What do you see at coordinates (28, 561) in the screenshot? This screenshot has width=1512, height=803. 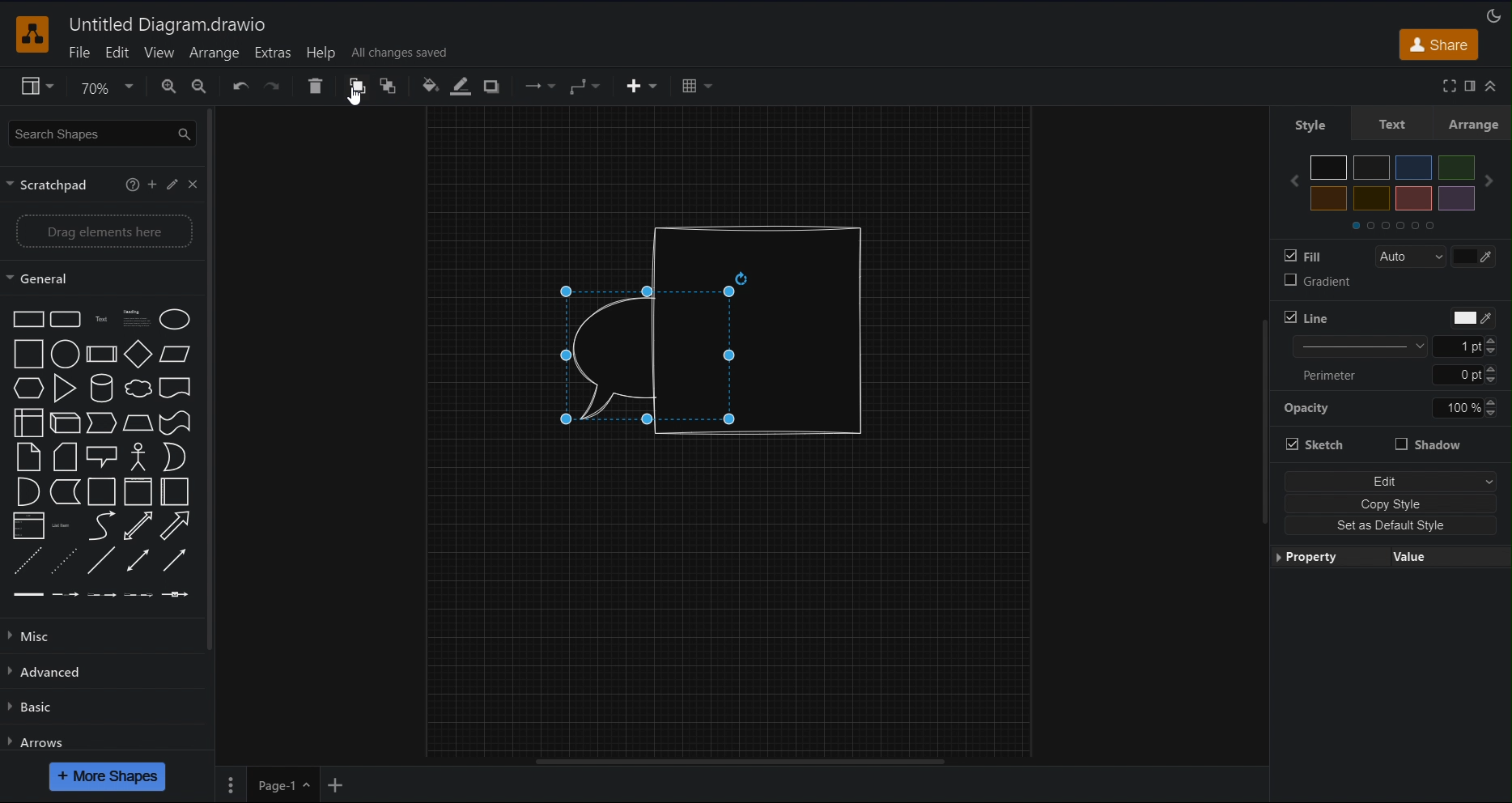 I see `Dashed line` at bounding box center [28, 561].